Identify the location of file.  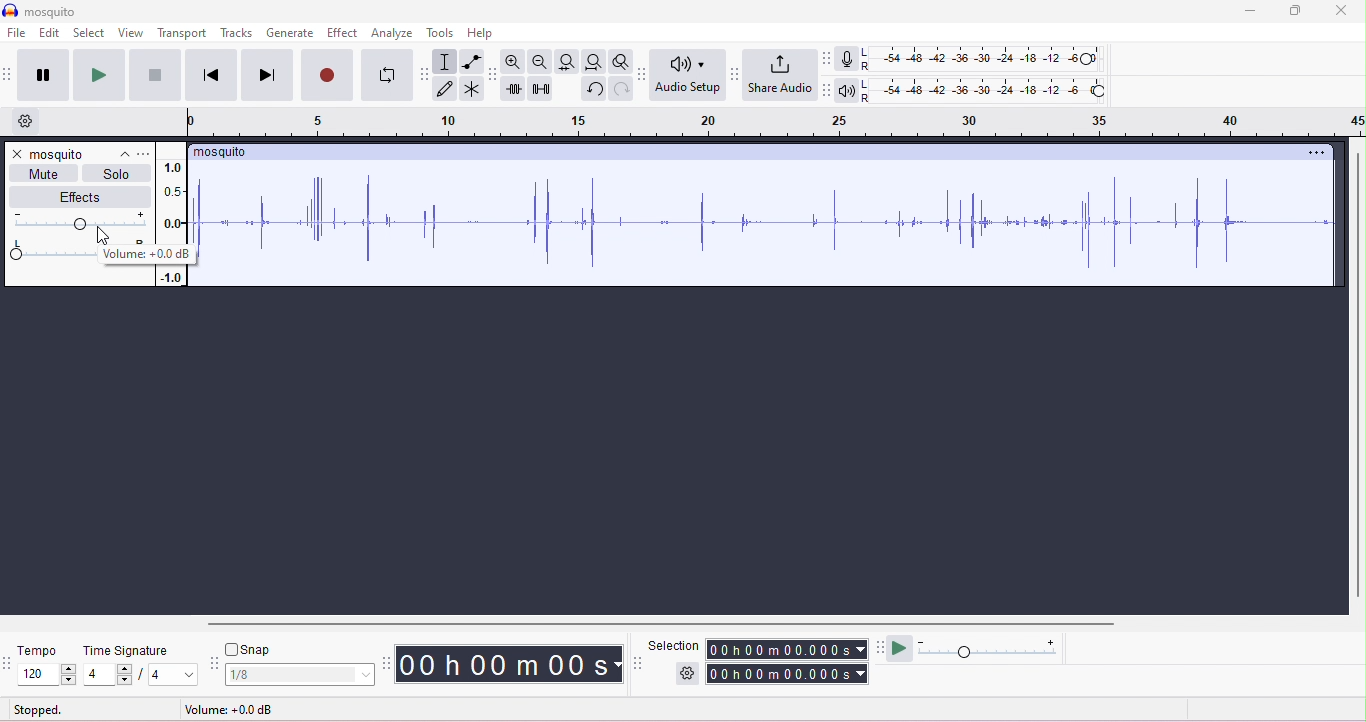
(21, 34).